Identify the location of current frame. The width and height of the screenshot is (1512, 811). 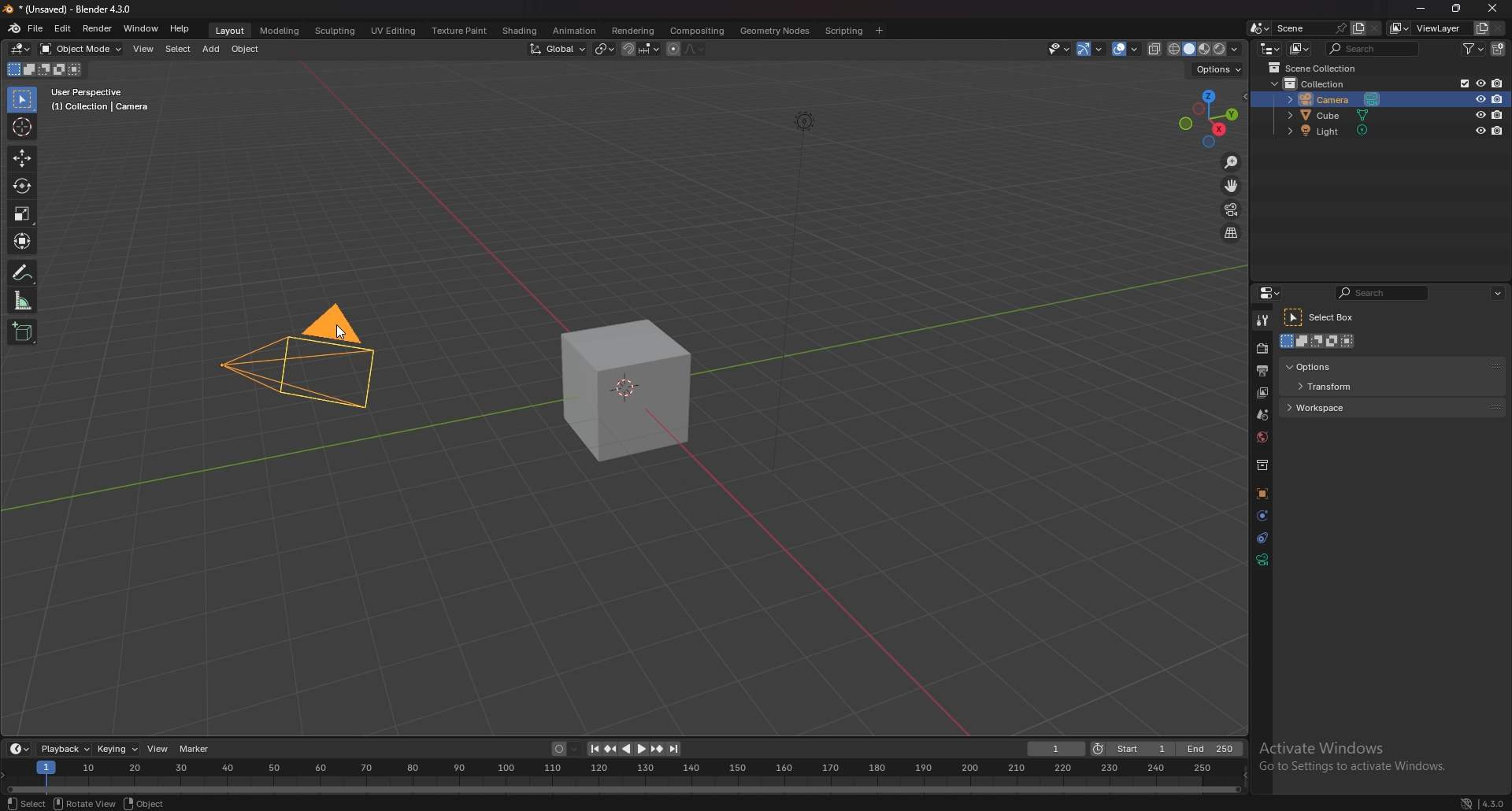
(1056, 750).